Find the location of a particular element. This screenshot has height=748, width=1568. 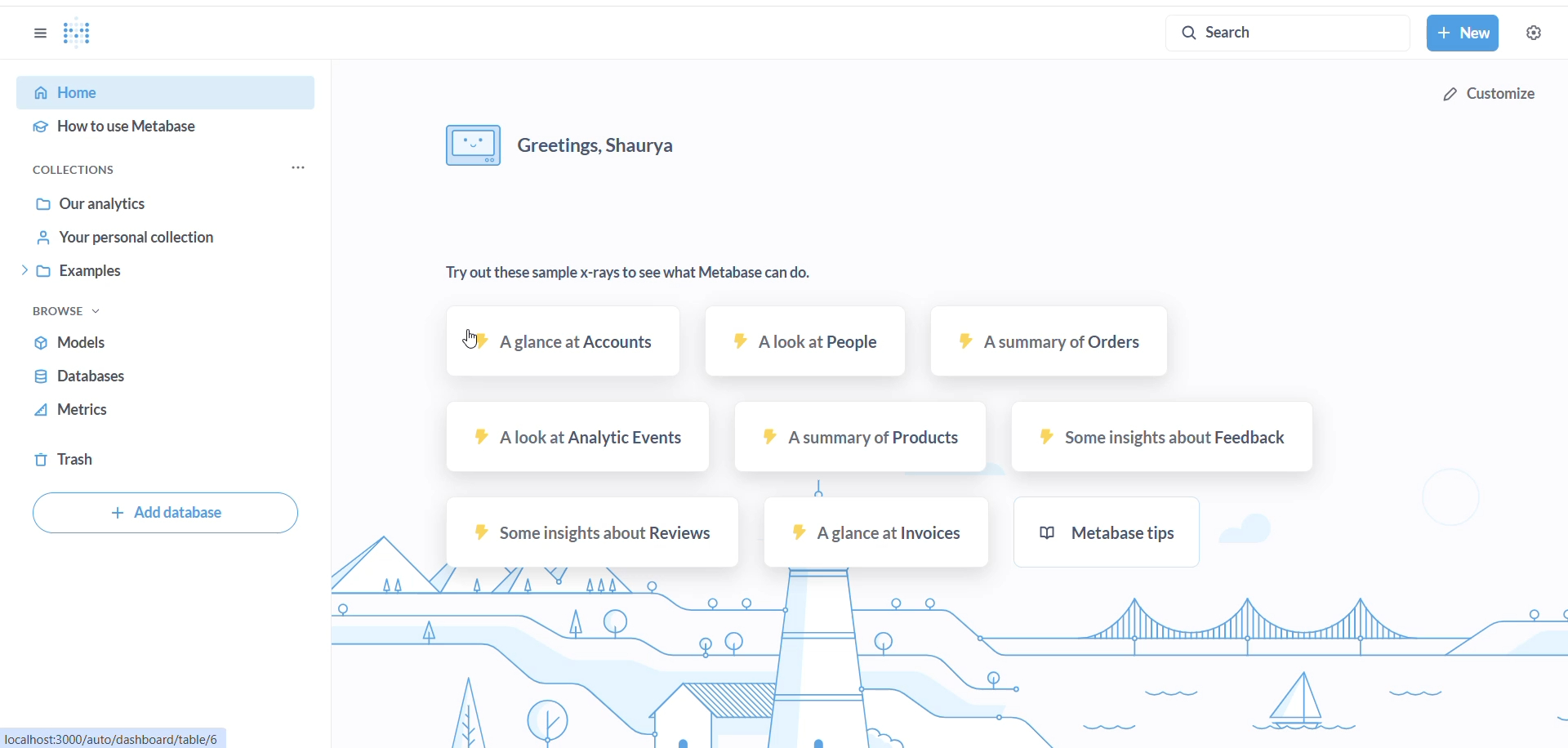

trash is located at coordinates (128, 461).